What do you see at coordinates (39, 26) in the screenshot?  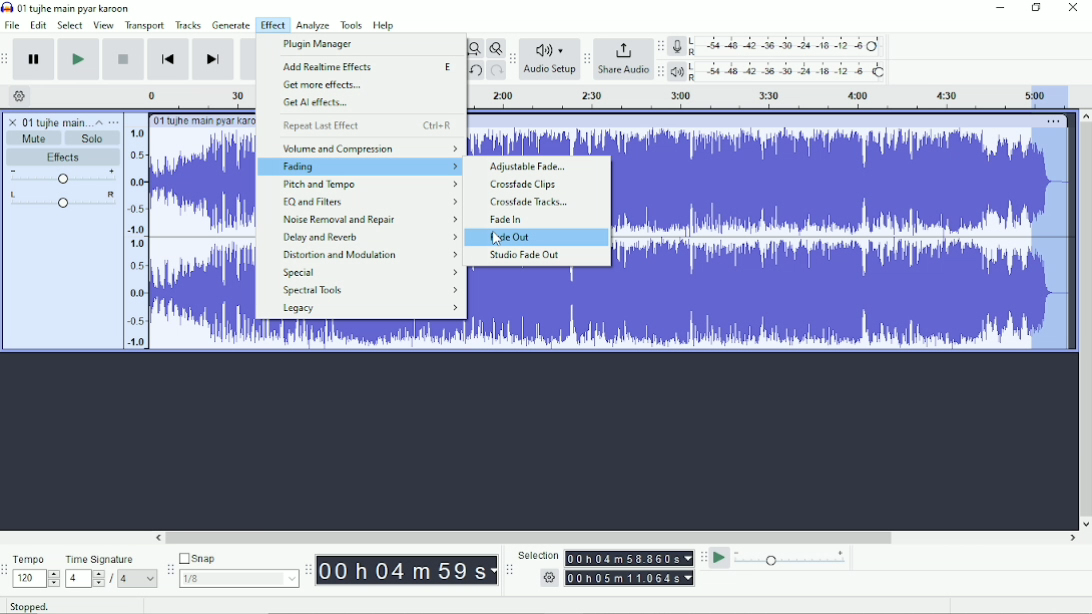 I see `Edit` at bounding box center [39, 26].